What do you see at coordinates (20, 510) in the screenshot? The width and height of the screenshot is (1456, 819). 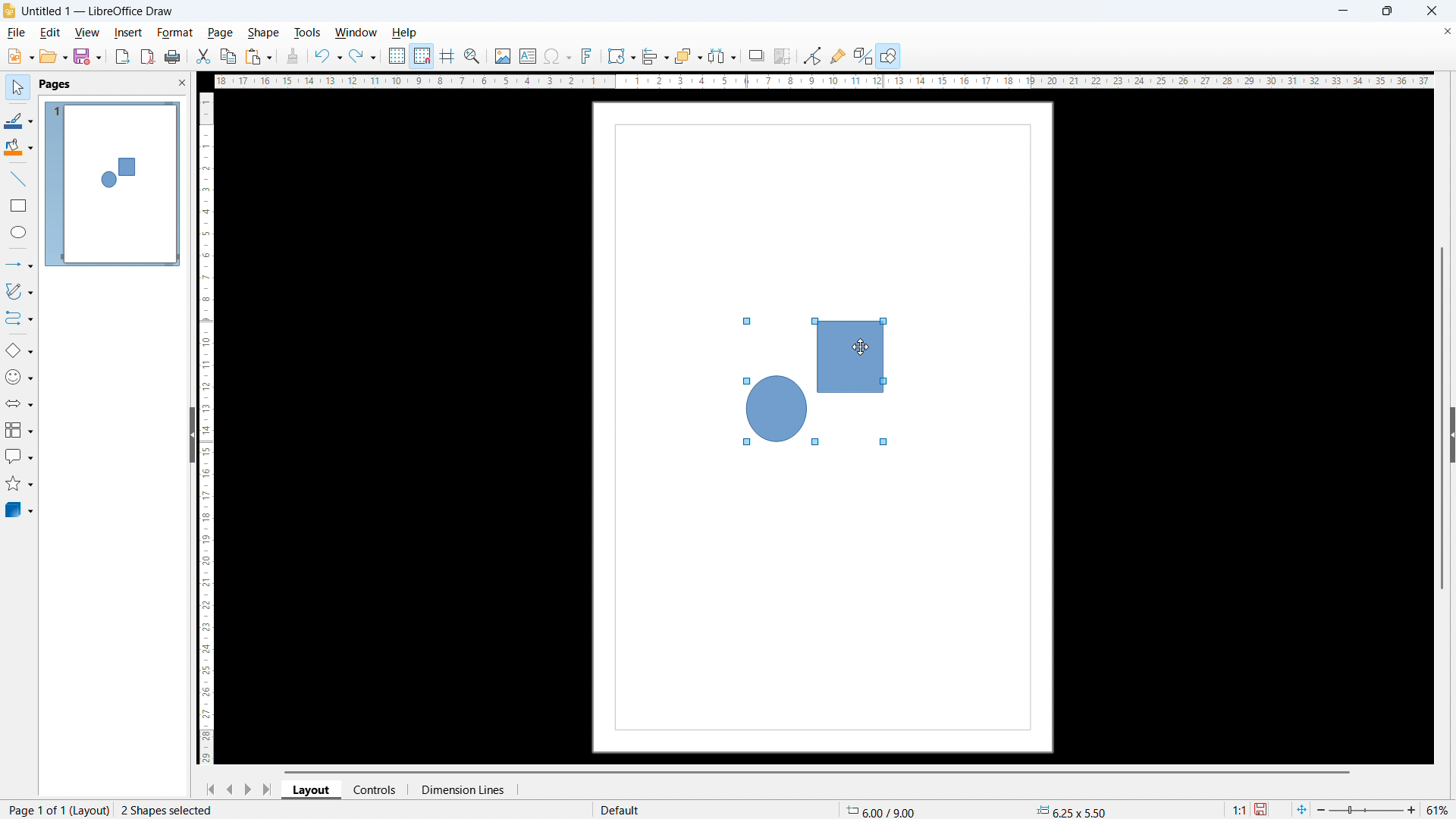 I see `3D object` at bounding box center [20, 510].